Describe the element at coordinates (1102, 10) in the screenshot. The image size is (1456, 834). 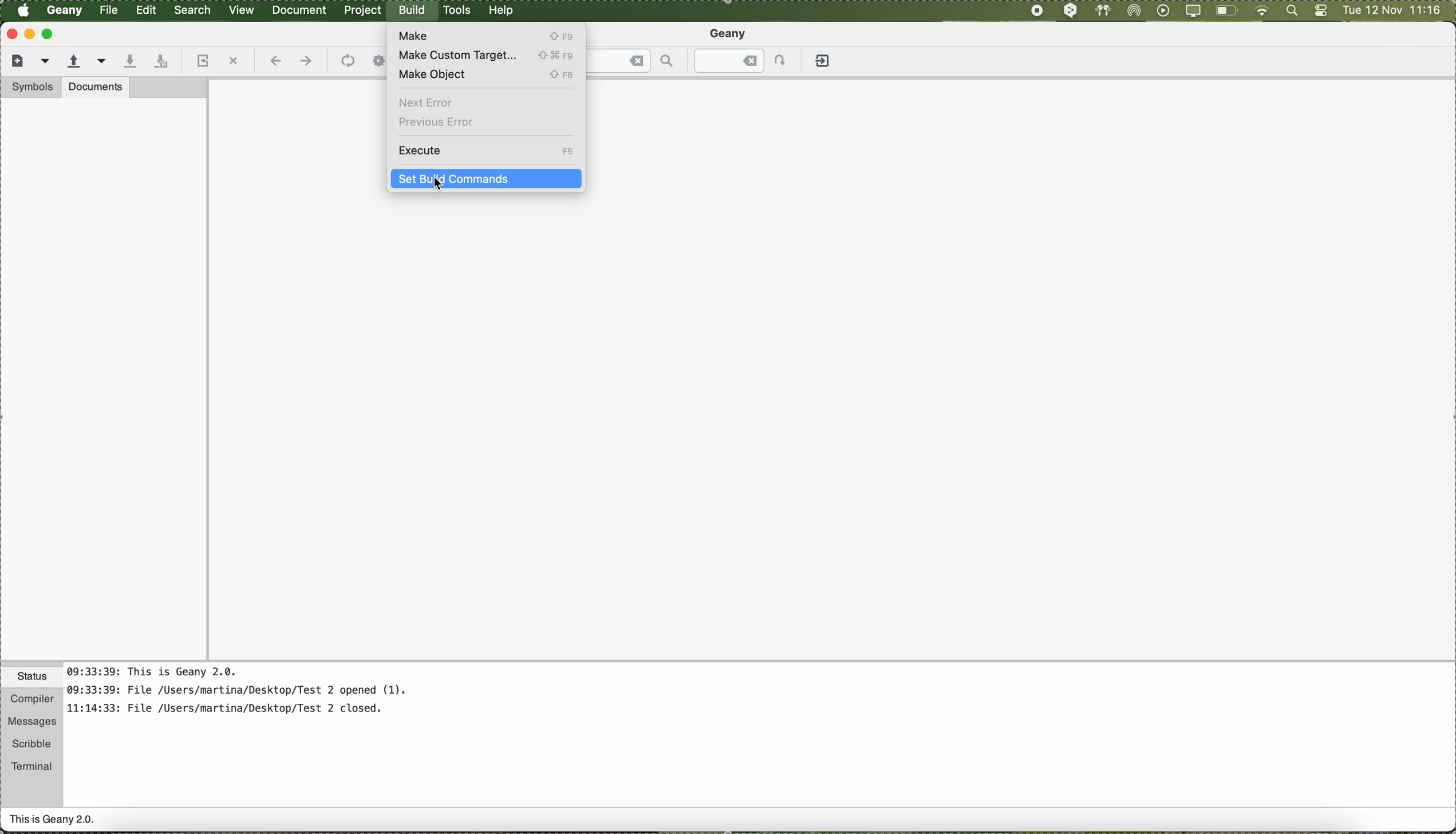
I see `airpods` at that location.